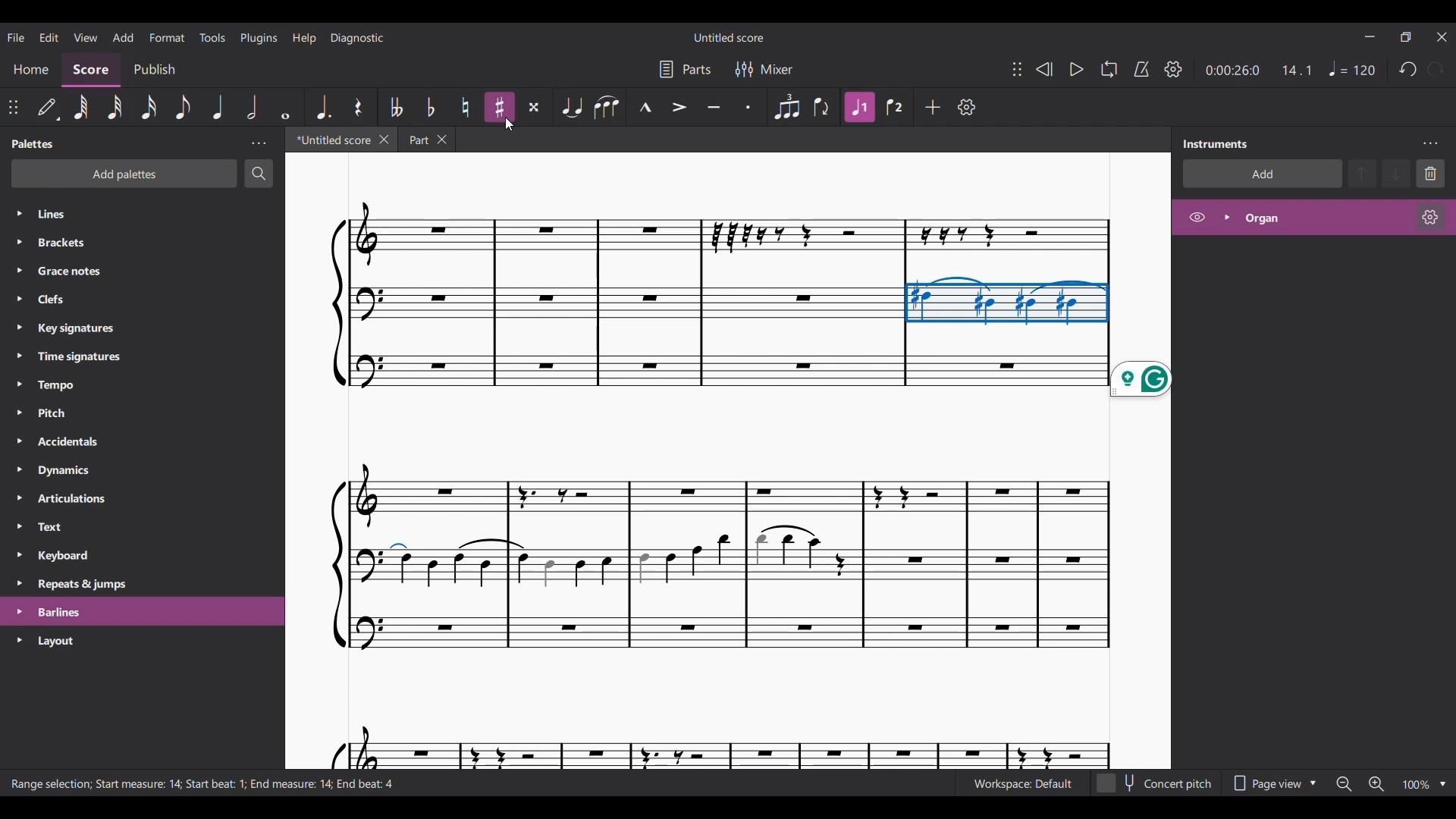 This screenshot has width=1456, height=819. Describe the element at coordinates (465, 107) in the screenshot. I see `Toggle natural` at that location.